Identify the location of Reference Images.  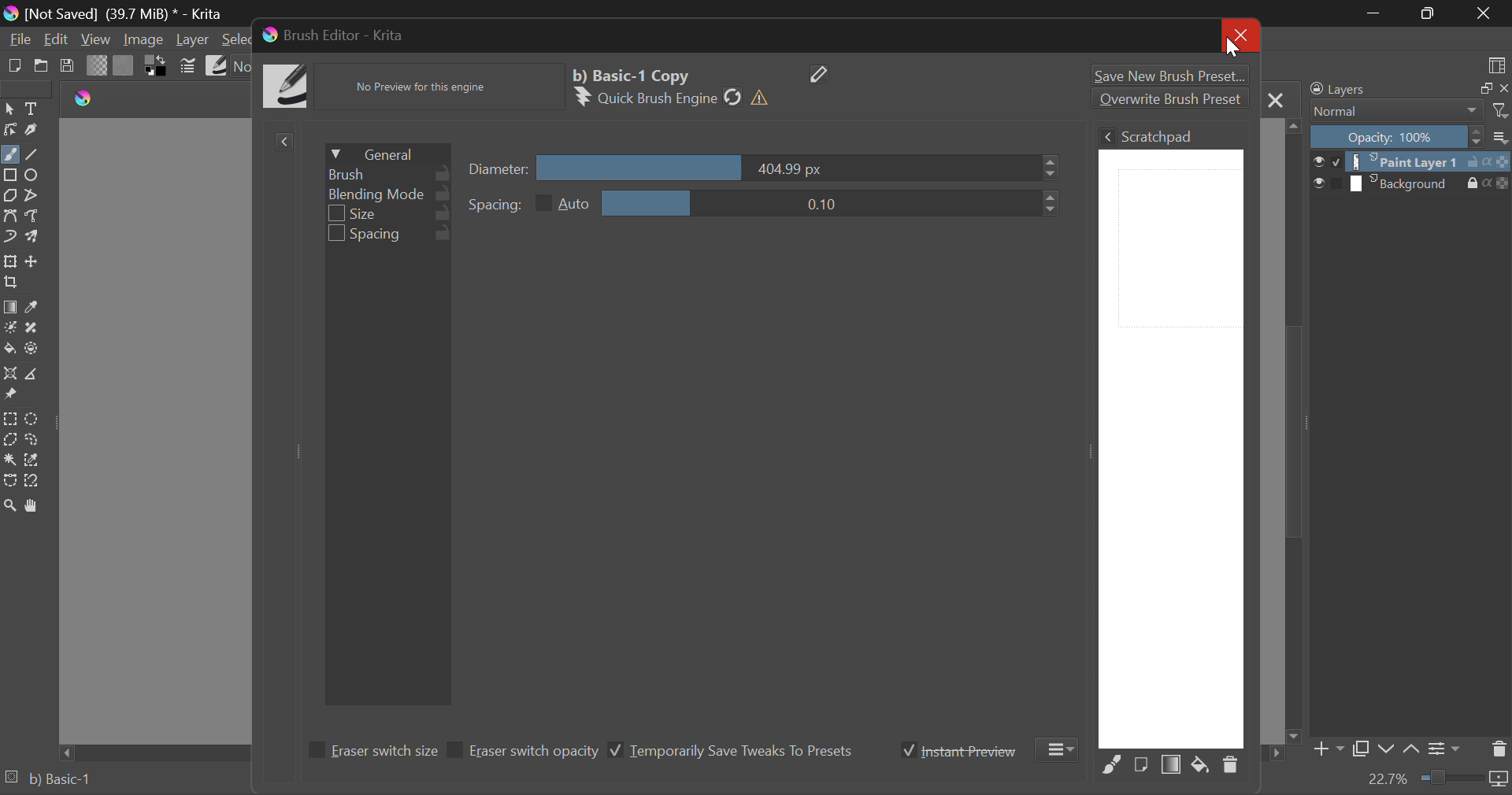
(10, 396).